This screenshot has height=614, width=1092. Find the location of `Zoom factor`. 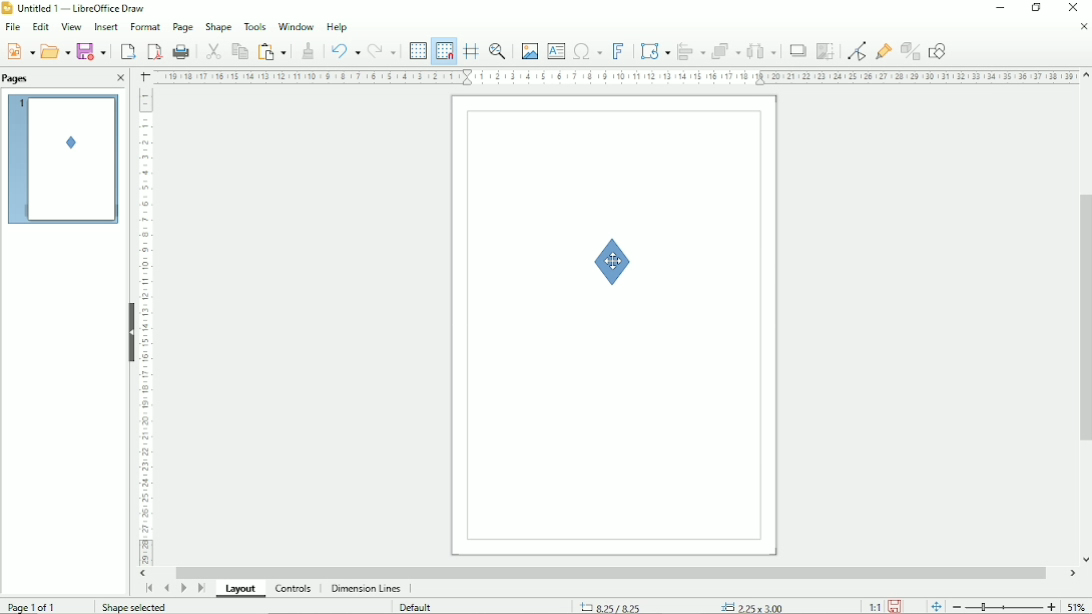

Zoom factor is located at coordinates (1078, 605).